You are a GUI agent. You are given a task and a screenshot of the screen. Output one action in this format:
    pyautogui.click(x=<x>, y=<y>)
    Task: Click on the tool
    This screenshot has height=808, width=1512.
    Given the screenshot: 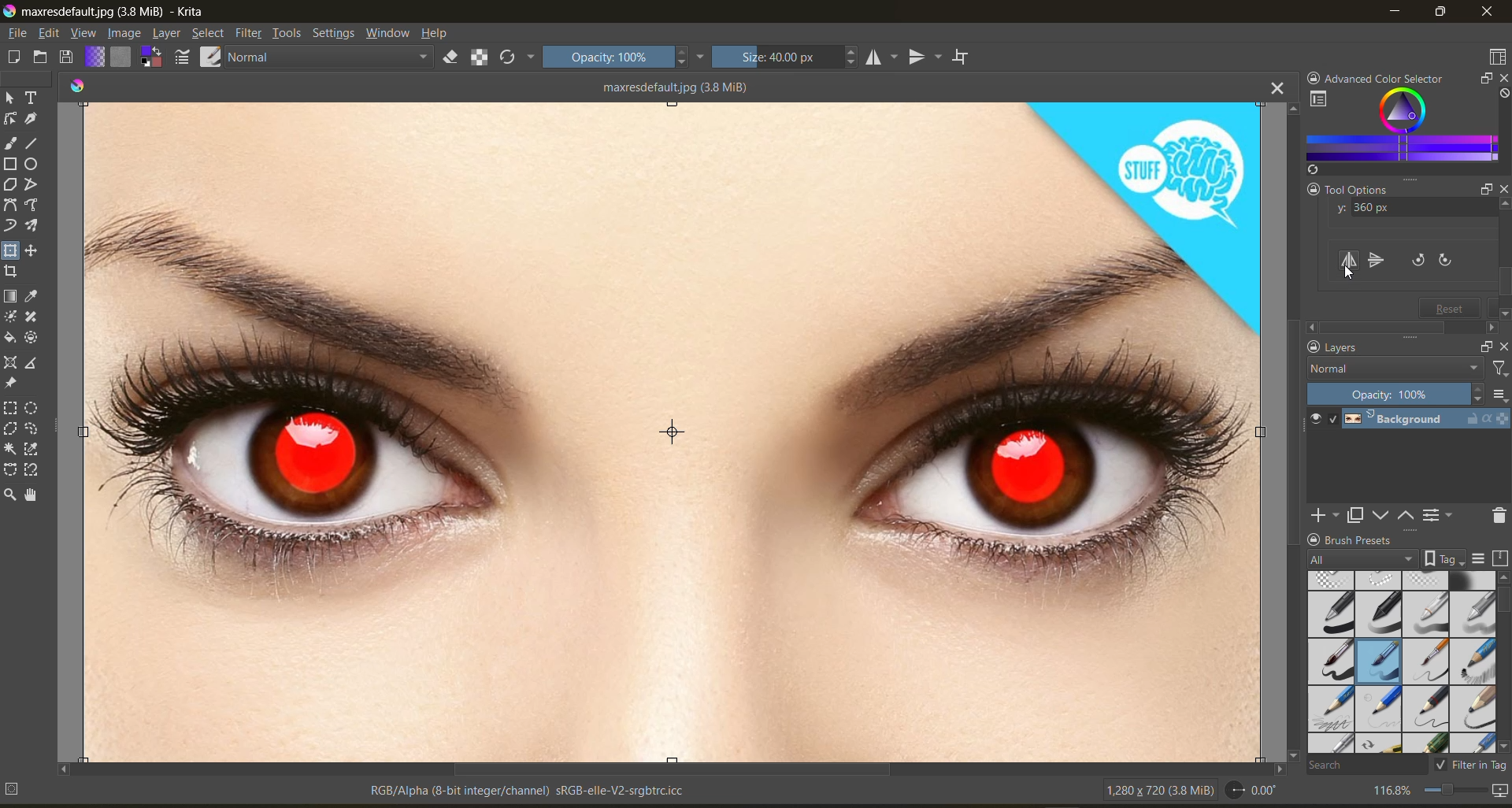 What is the action you would take?
    pyautogui.click(x=12, y=97)
    